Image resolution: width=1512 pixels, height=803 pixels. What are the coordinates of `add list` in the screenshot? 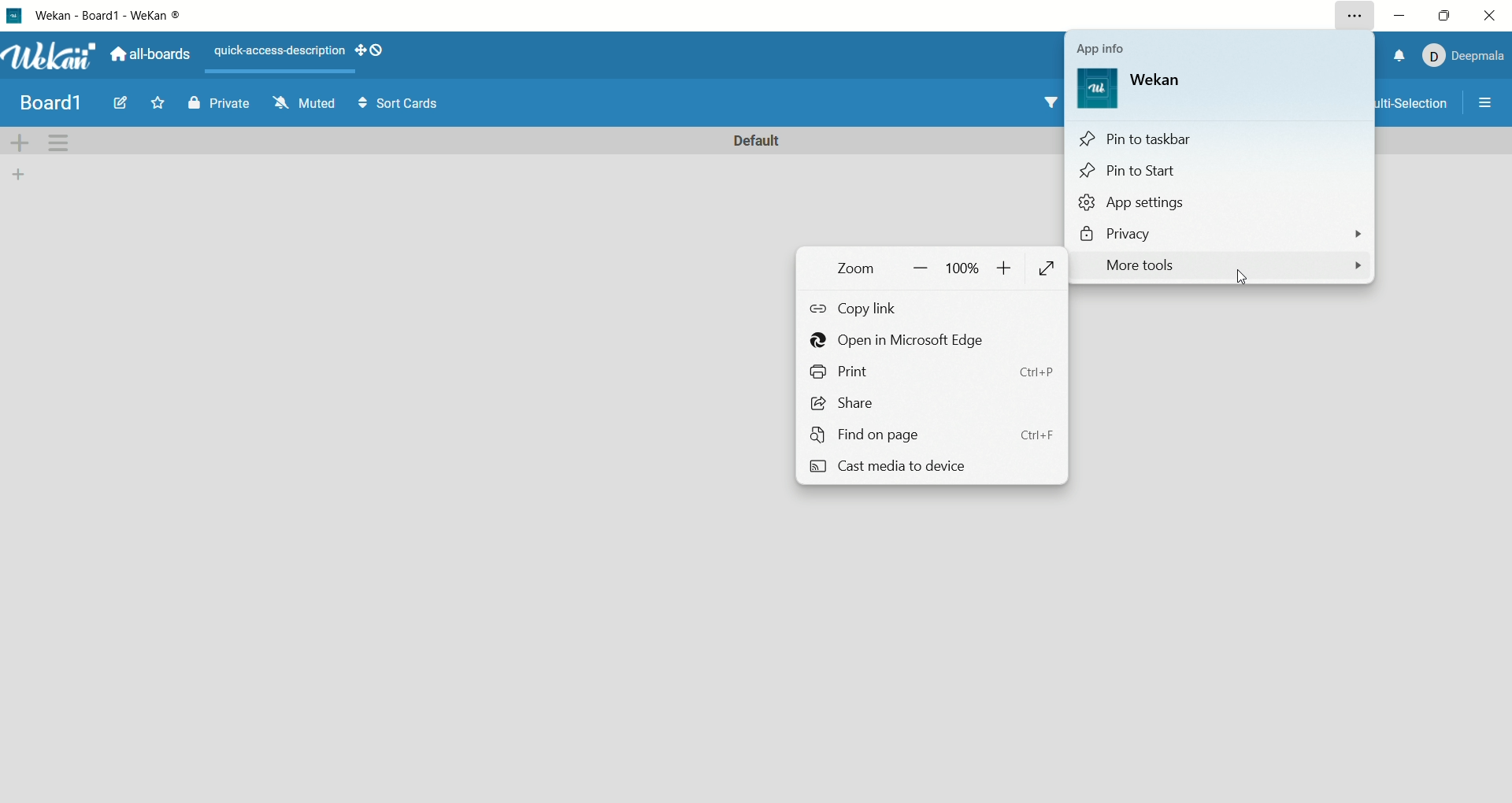 It's located at (25, 175).